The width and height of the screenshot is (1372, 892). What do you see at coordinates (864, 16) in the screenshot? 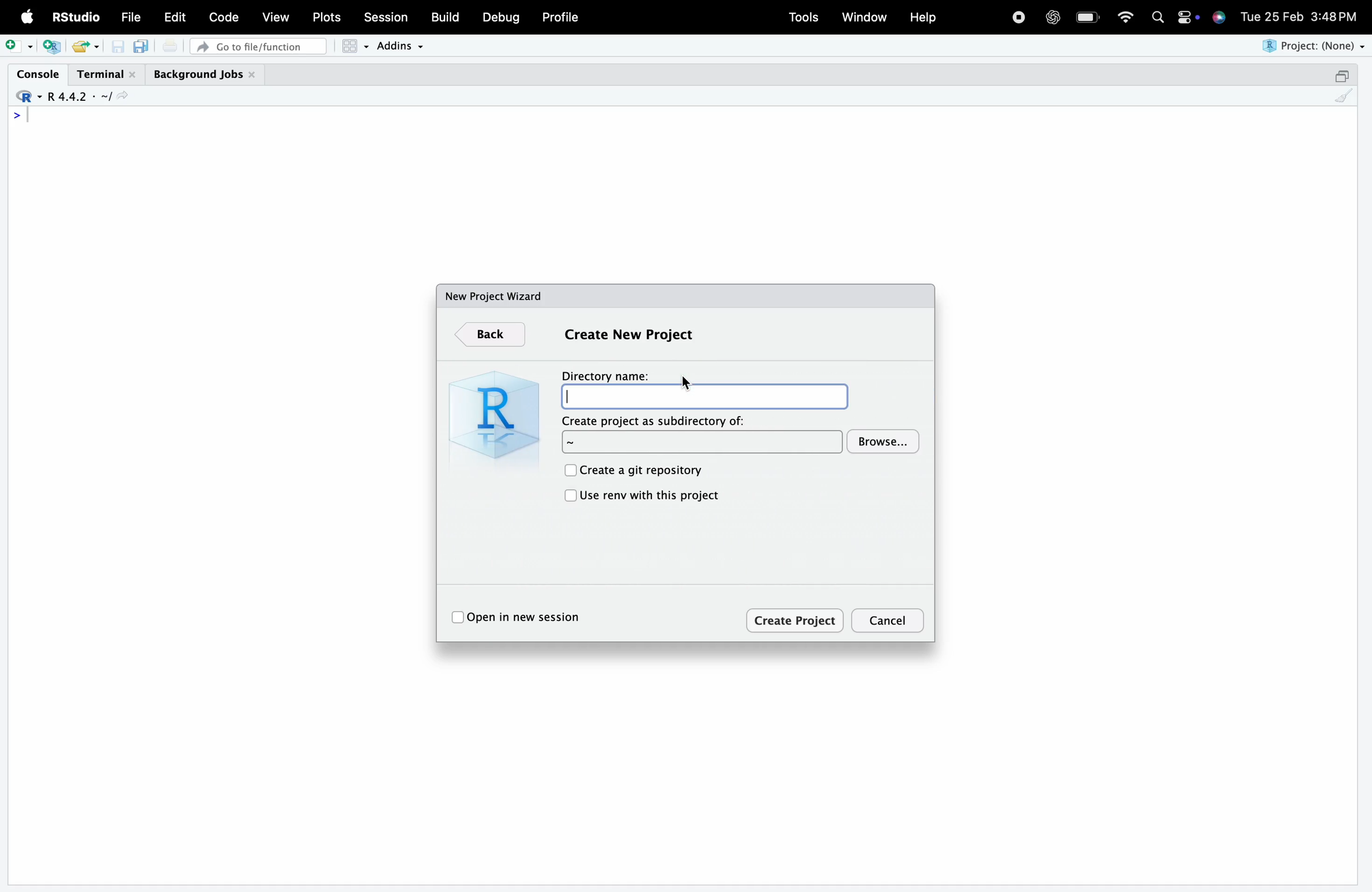
I see `Window` at bounding box center [864, 16].